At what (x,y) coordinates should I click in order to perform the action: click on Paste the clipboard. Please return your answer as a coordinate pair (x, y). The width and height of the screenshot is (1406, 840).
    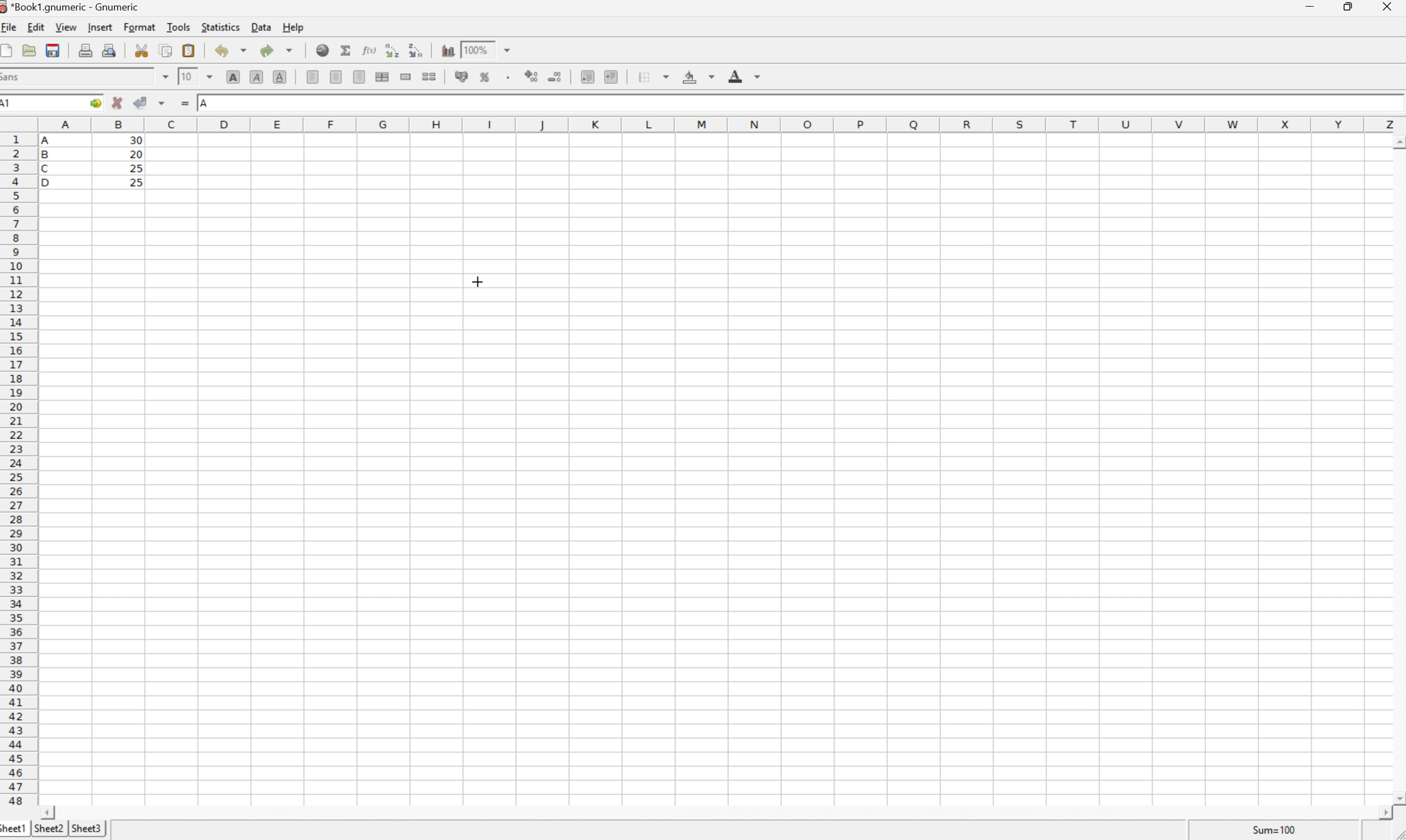
    Looking at the image, I should click on (188, 50).